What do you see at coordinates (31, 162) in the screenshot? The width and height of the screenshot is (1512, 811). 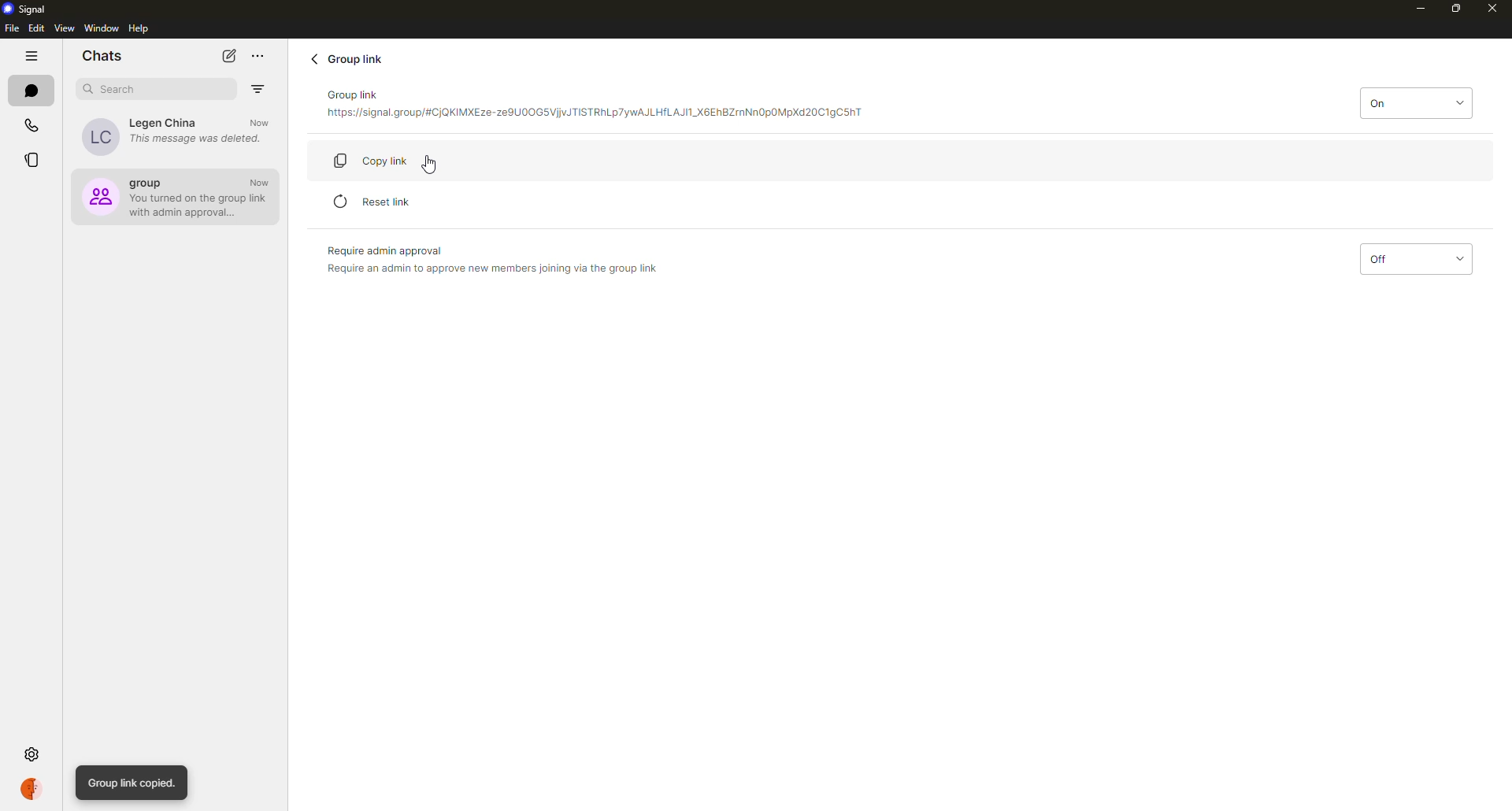 I see `stories` at bounding box center [31, 162].